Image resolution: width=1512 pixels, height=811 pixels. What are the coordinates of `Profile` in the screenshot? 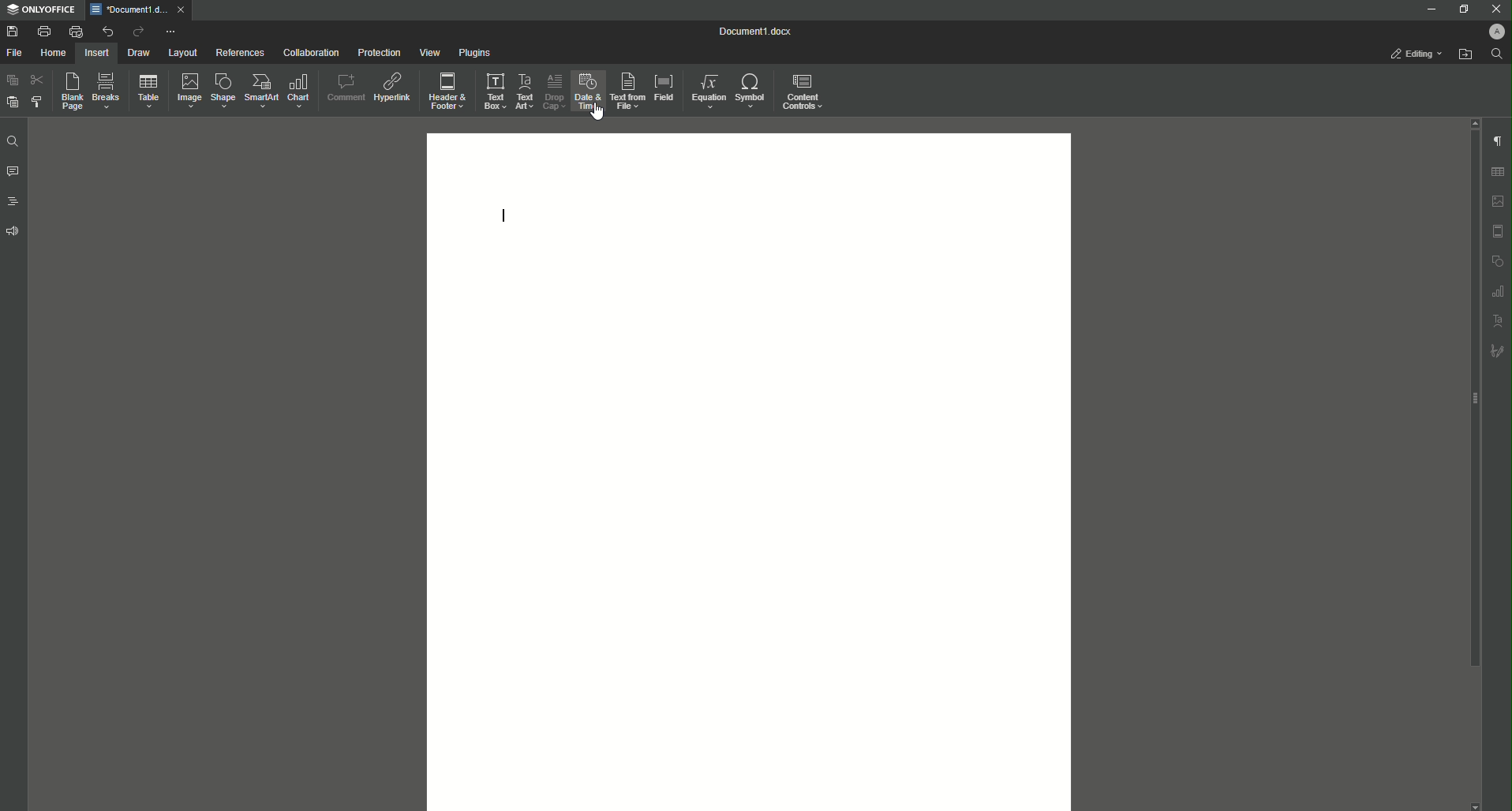 It's located at (1495, 31).